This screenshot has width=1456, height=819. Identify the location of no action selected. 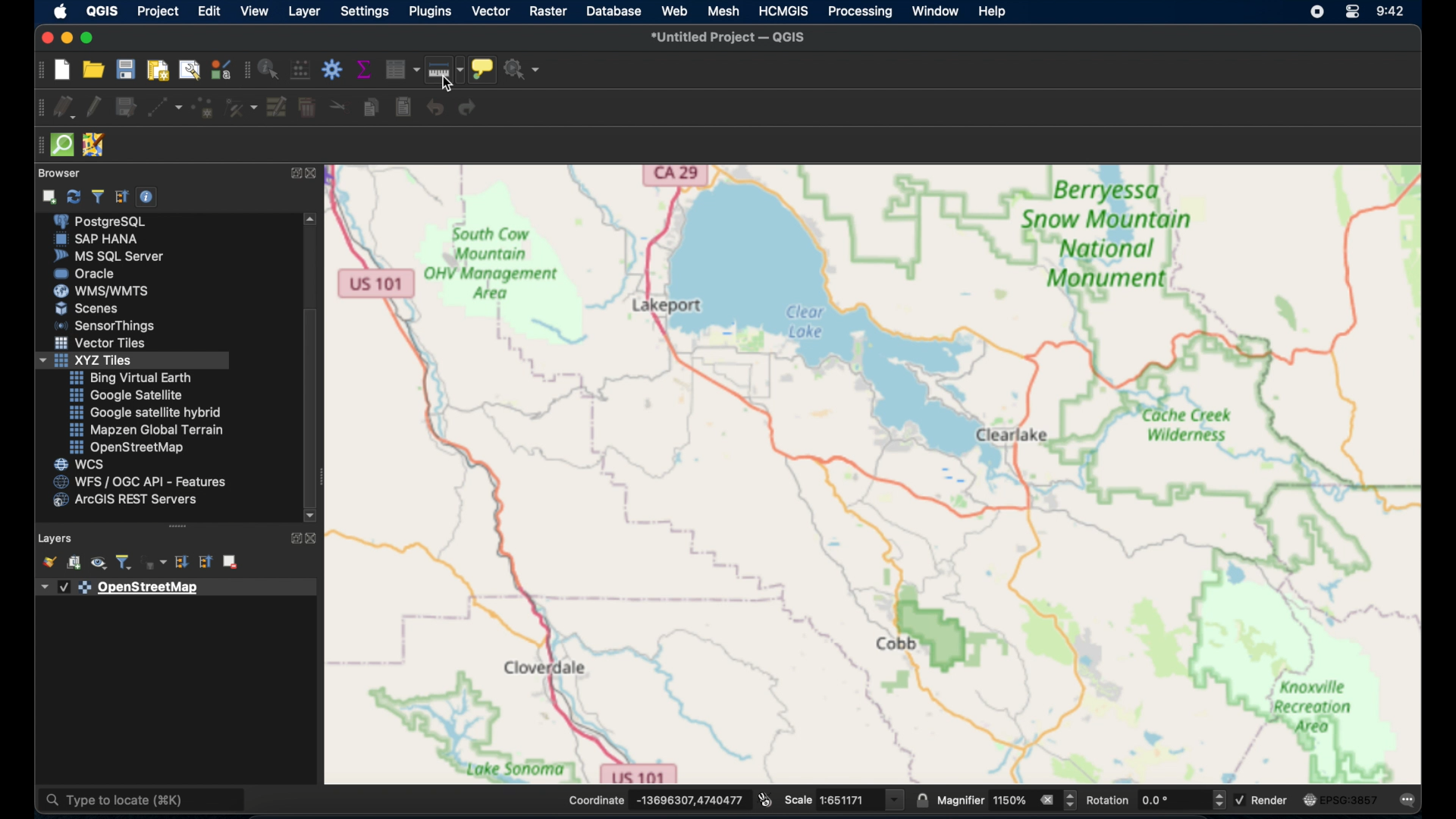
(524, 69).